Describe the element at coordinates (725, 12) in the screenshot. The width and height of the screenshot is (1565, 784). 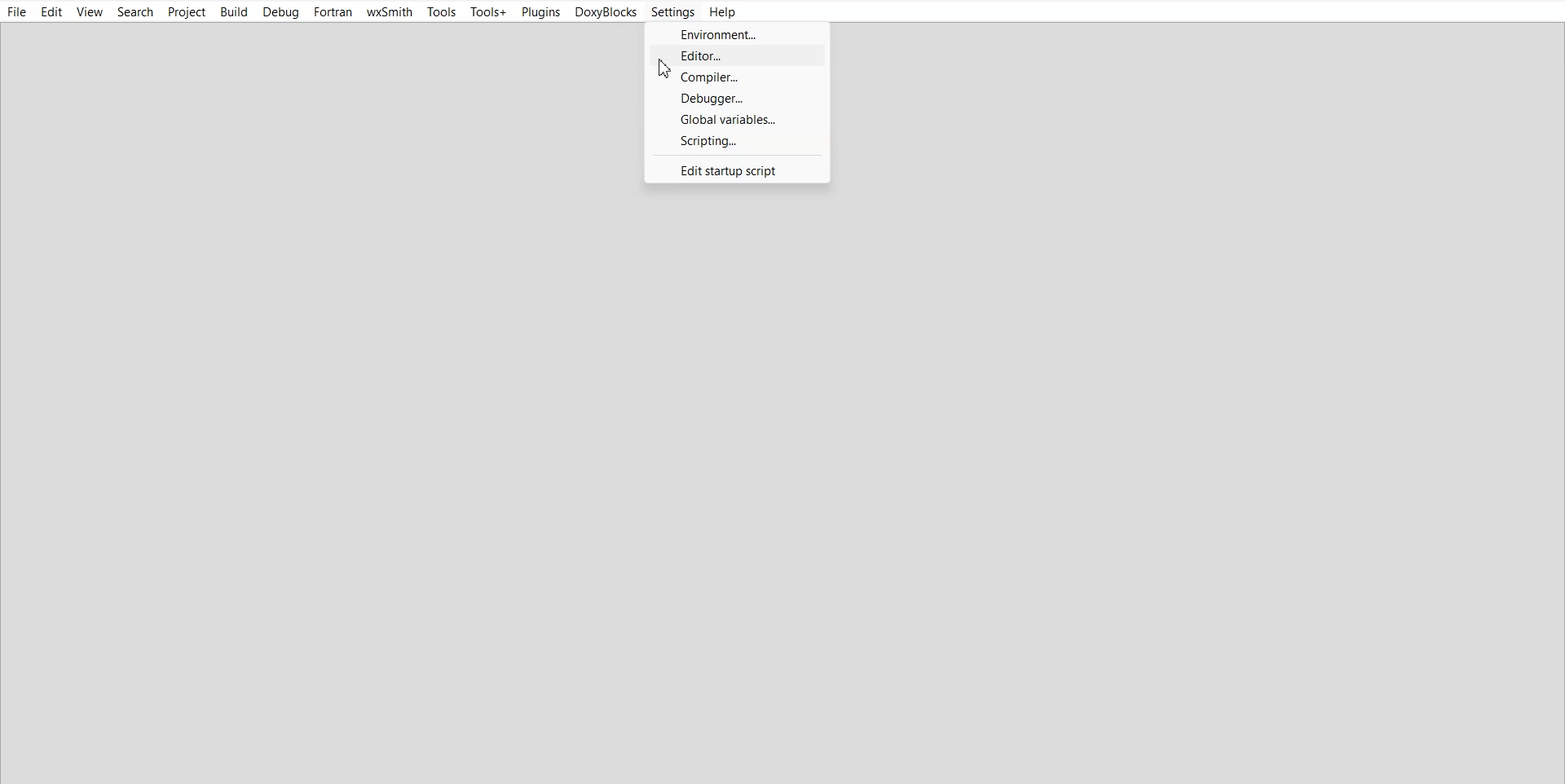
I see `Help` at that location.